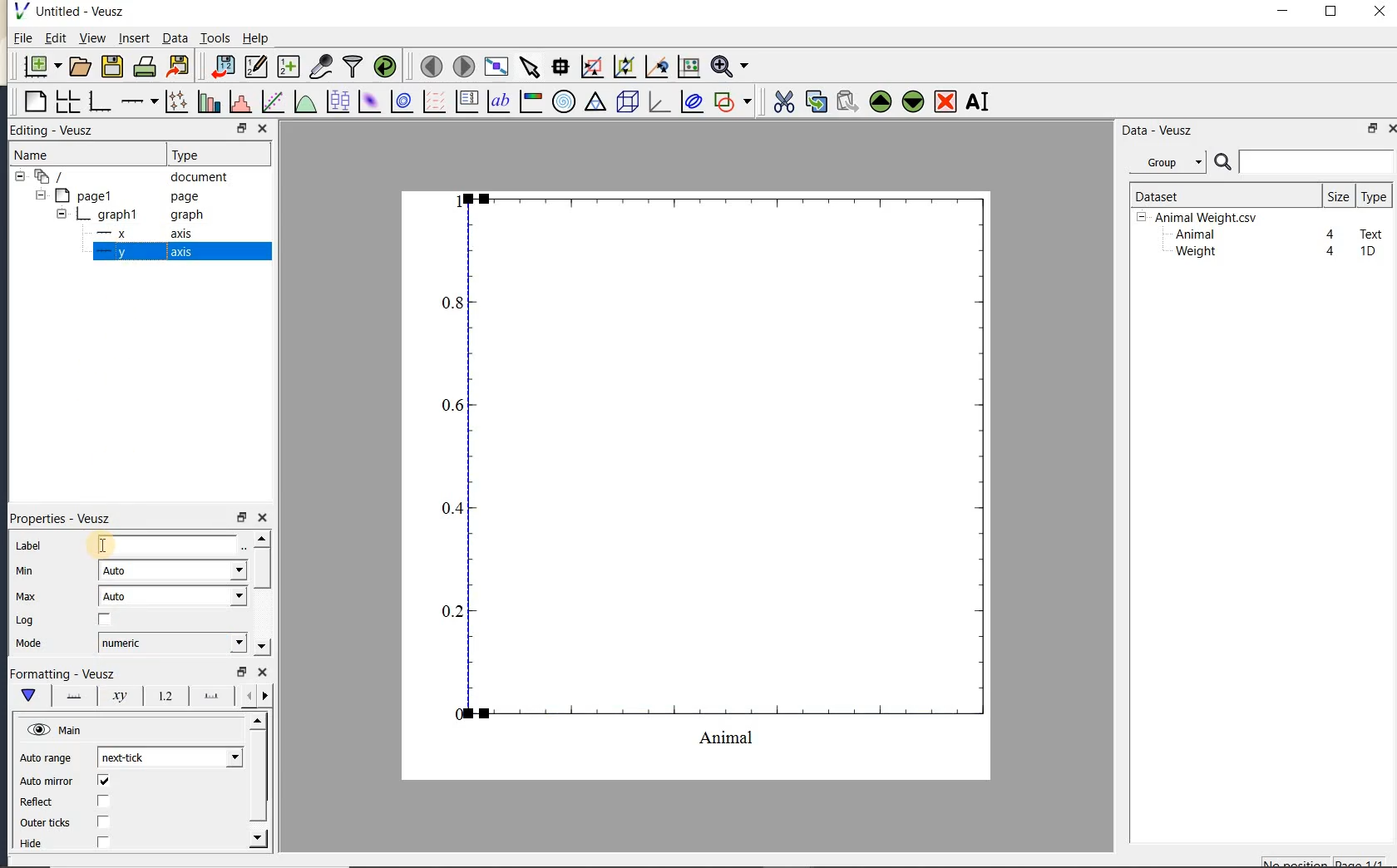 The image size is (1397, 868). Describe the element at coordinates (33, 102) in the screenshot. I see `blank page` at that location.